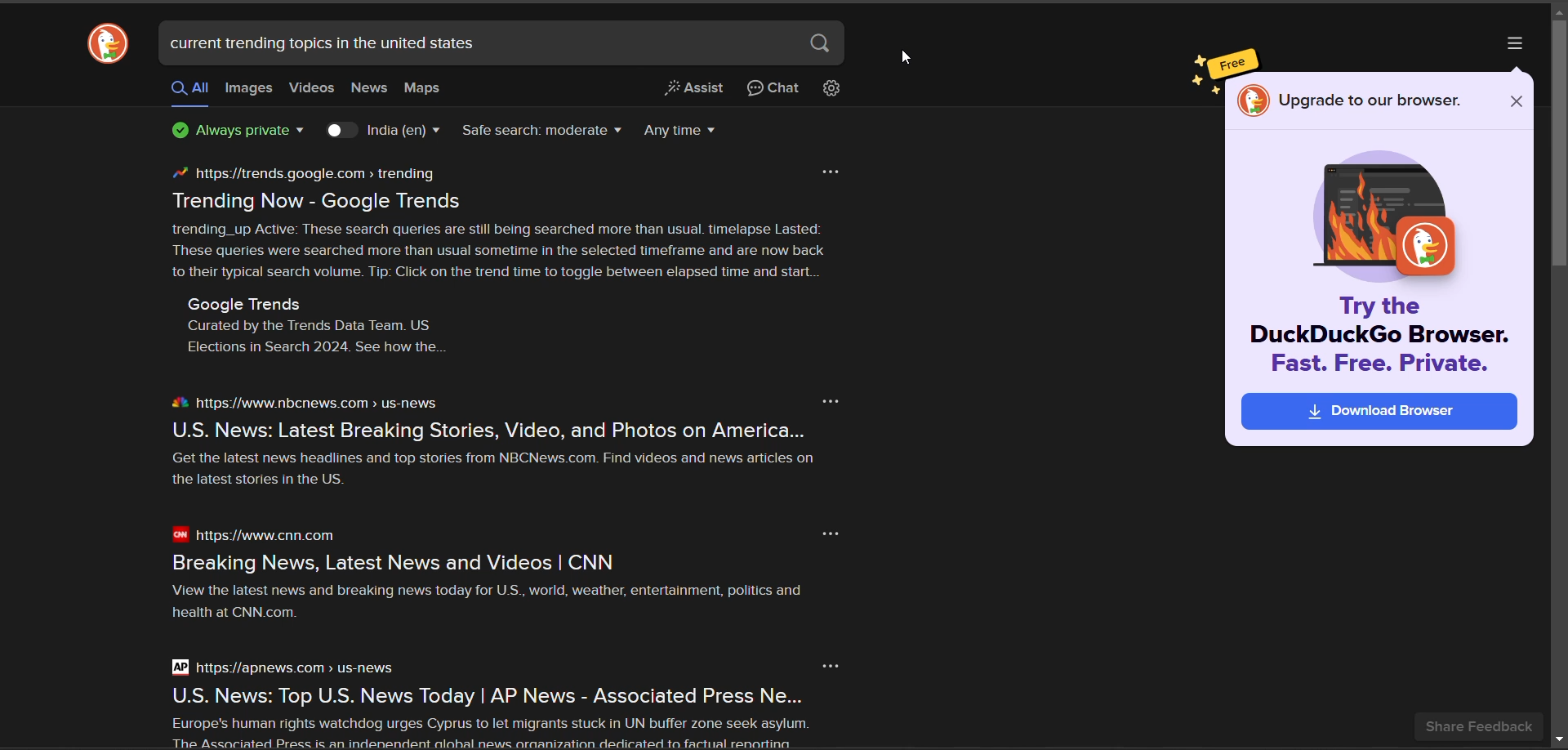  What do you see at coordinates (1513, 98) in the screenshot?
I see `close` at bounding box center [1513, 98].